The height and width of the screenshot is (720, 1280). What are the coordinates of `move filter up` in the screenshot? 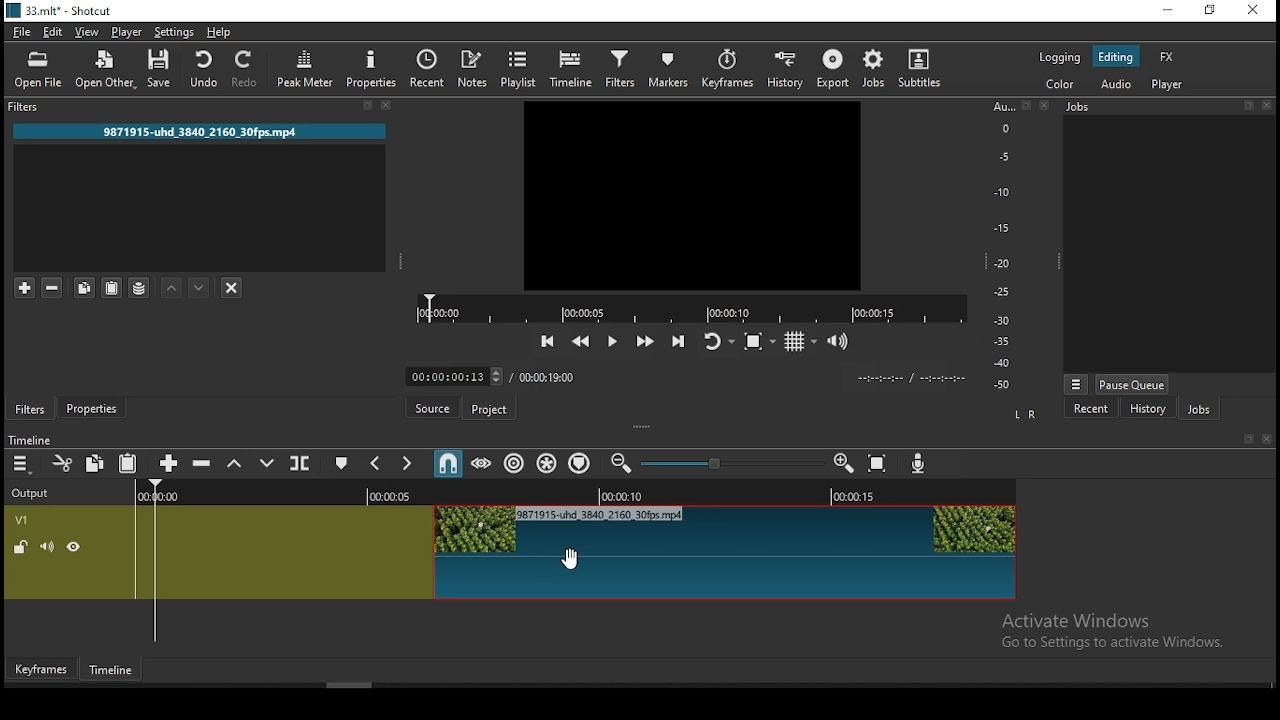 It's located at (170, 288).